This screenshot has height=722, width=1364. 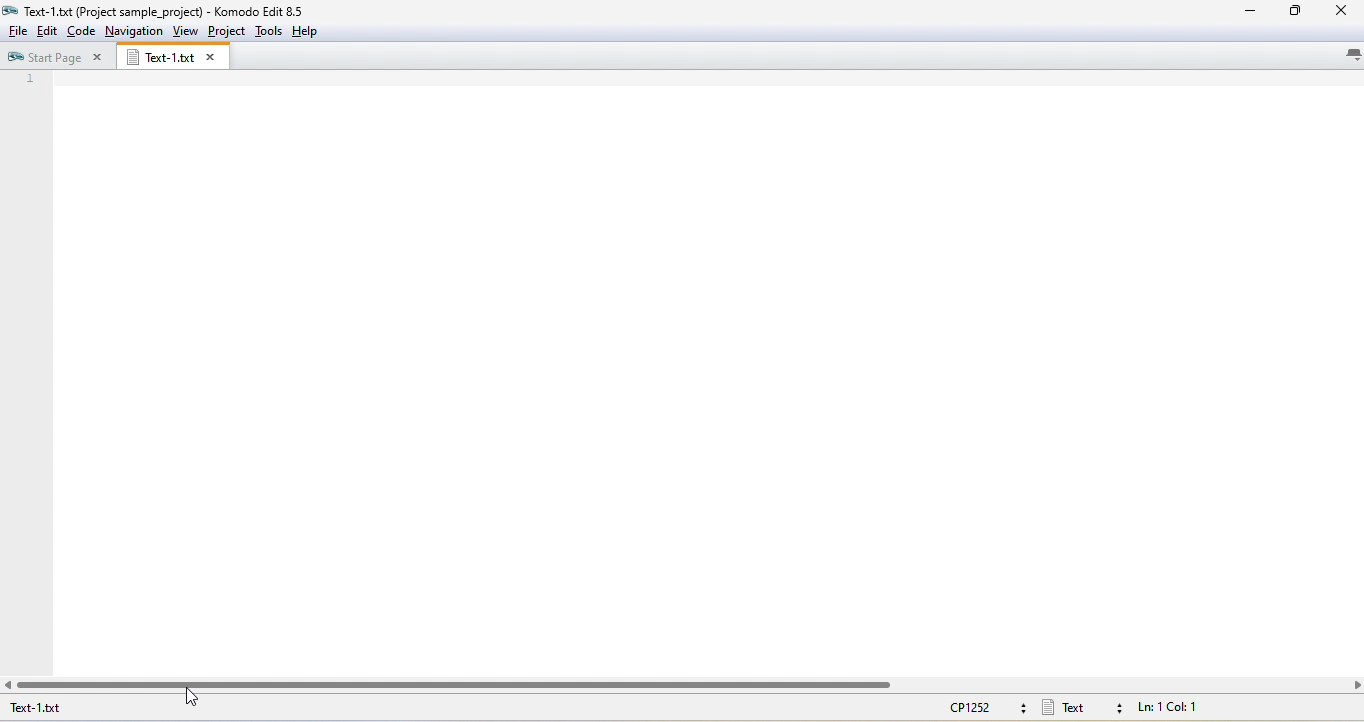 I want to click on scroll left, so click(x=12, y=682).